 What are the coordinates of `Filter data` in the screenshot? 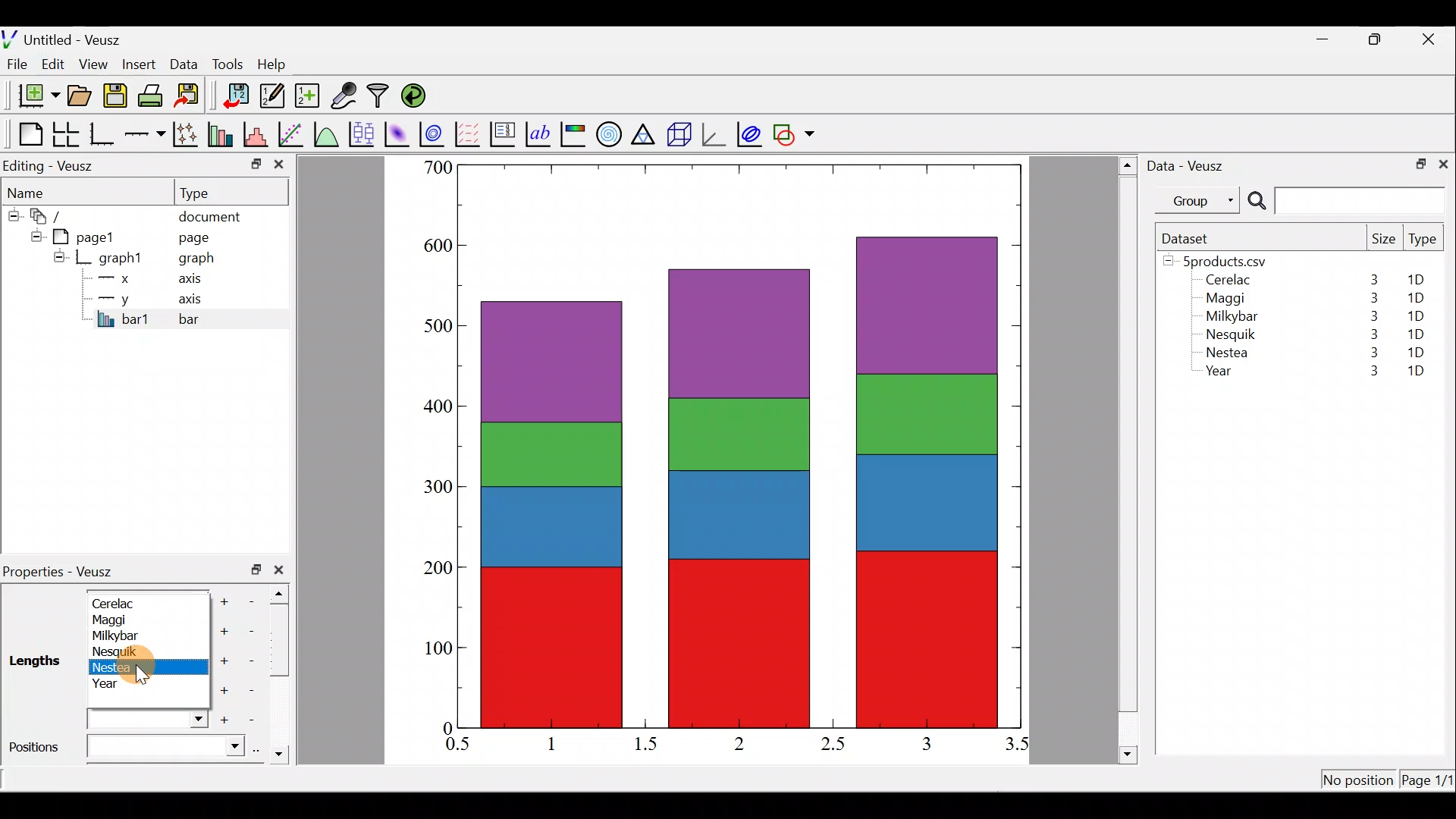 It's located at (381, 97).